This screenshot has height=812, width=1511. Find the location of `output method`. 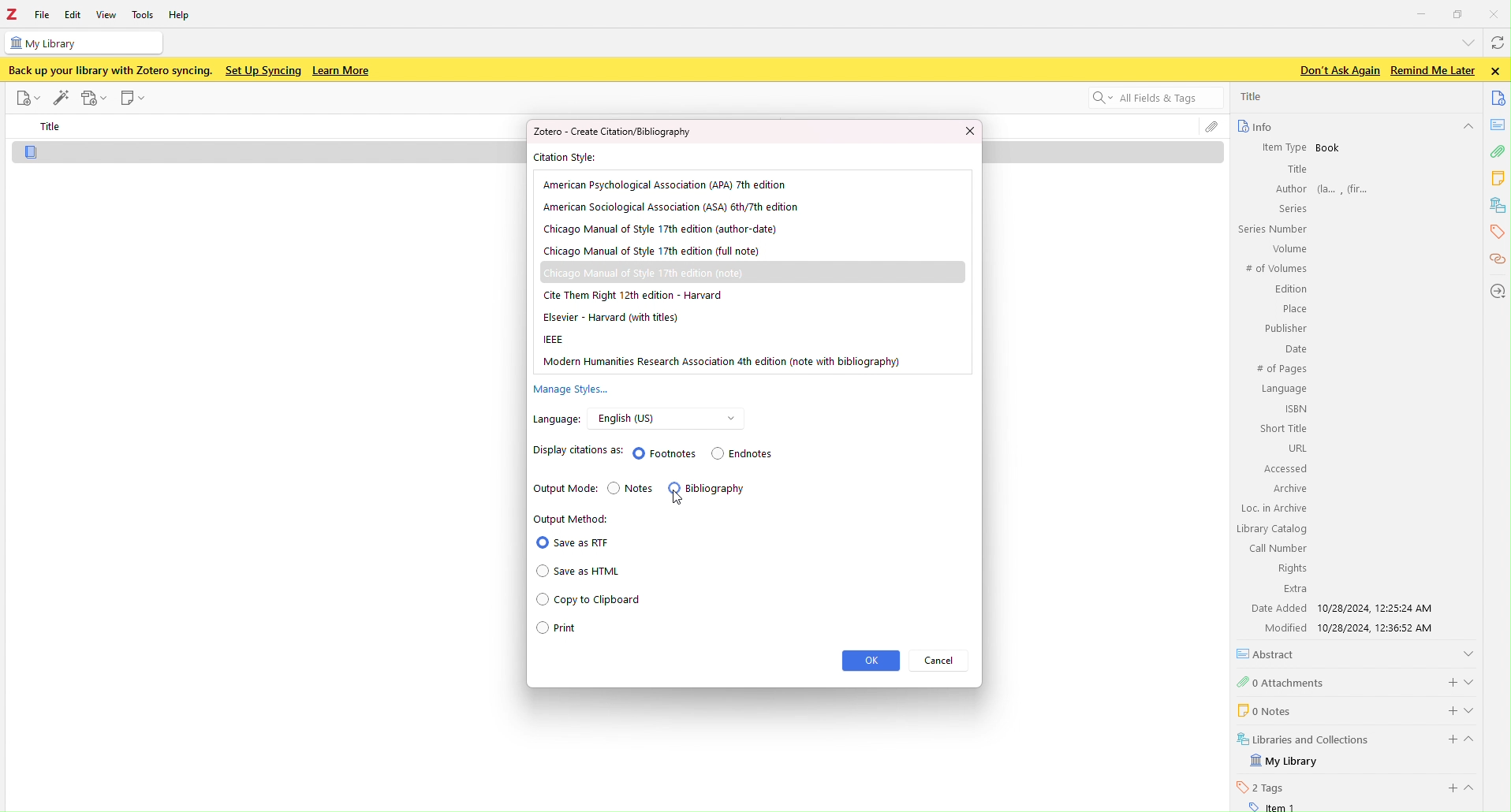

output method is located at coordinates (611, 581).